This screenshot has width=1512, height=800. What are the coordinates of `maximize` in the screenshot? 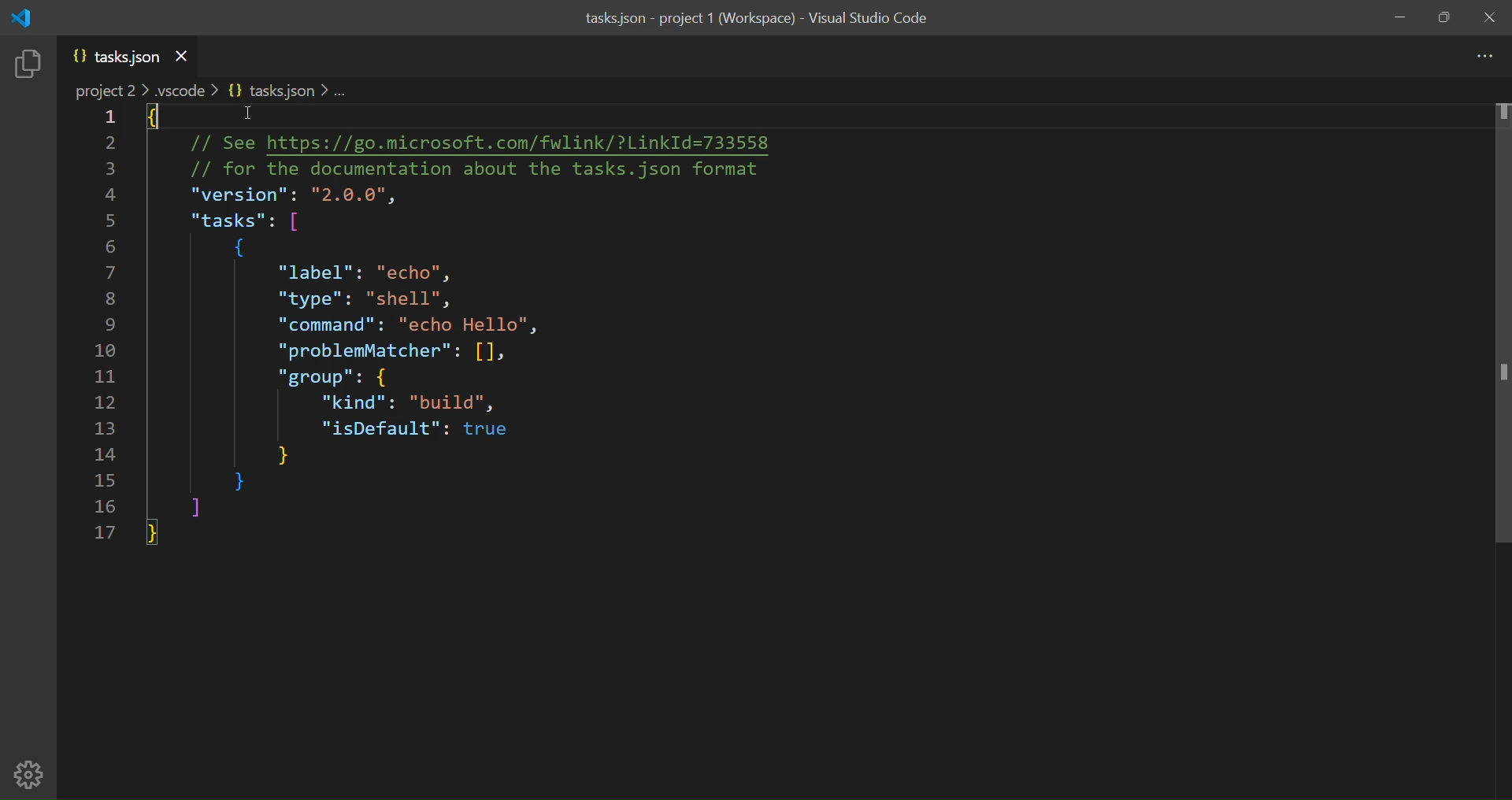 It's located at (1442, 17).